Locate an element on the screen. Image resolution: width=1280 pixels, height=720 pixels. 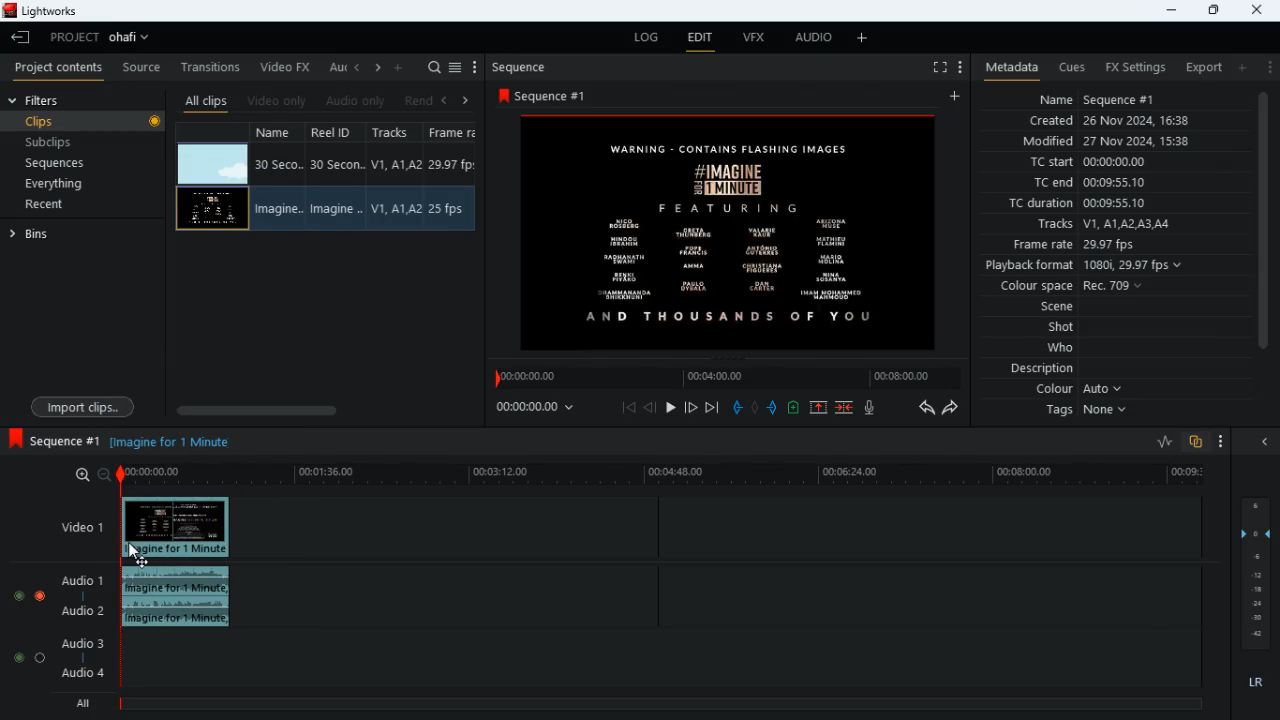
export is located at coordinates (1205, 67).